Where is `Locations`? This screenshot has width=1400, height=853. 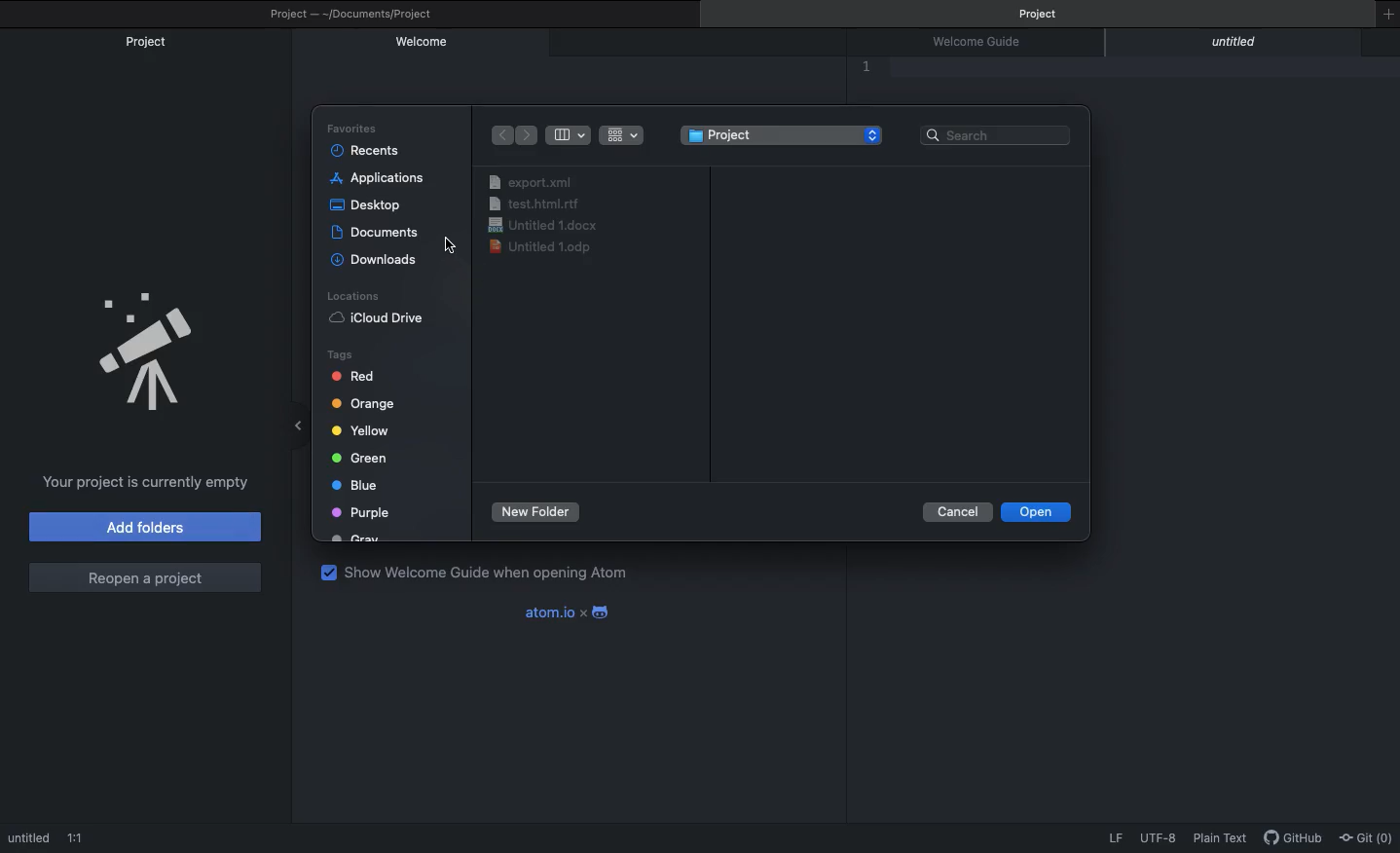 Locations is located at coordinates (350, 294).